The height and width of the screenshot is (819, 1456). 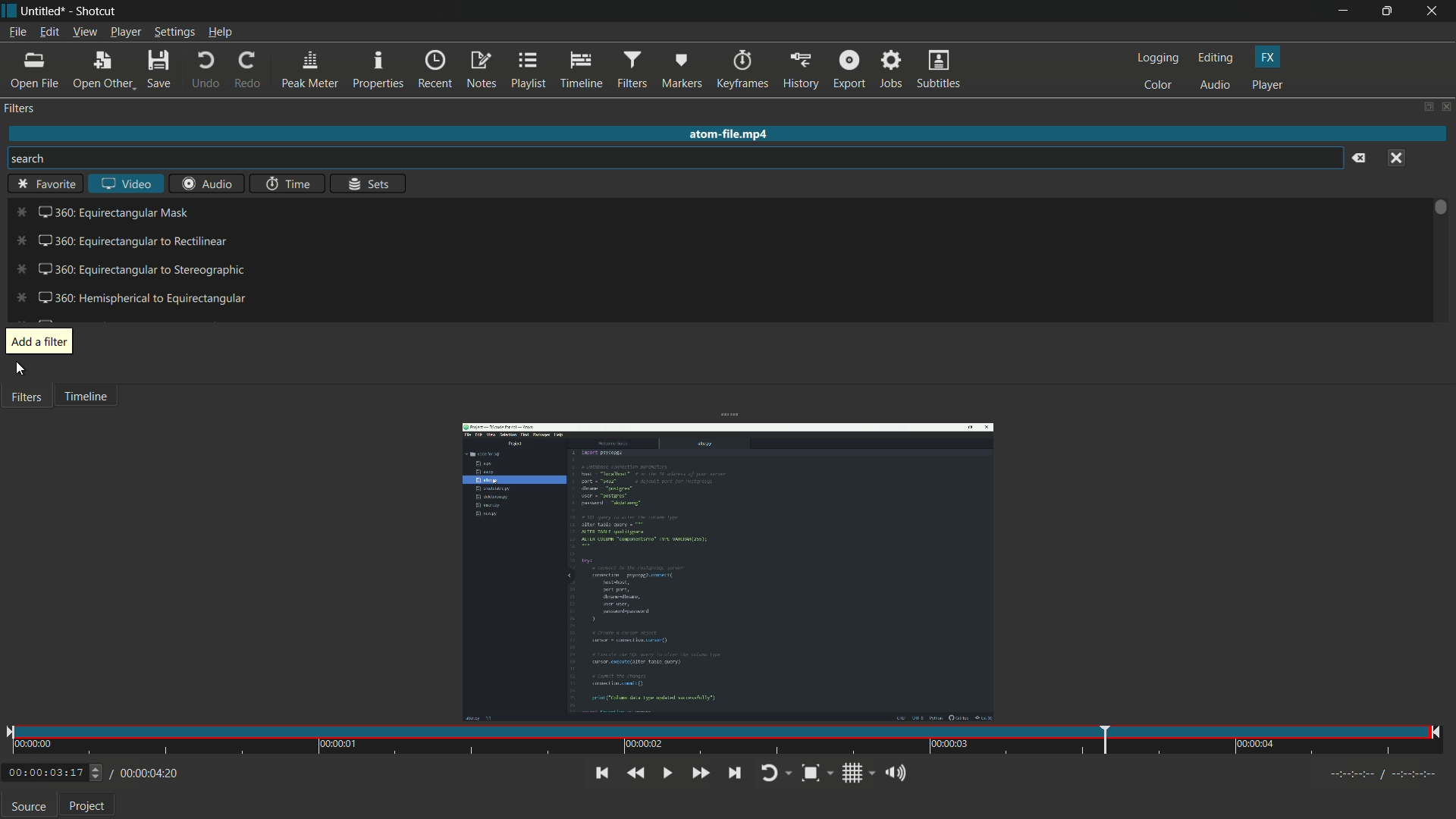 I want to click on recent, so click(x=435, y=70).